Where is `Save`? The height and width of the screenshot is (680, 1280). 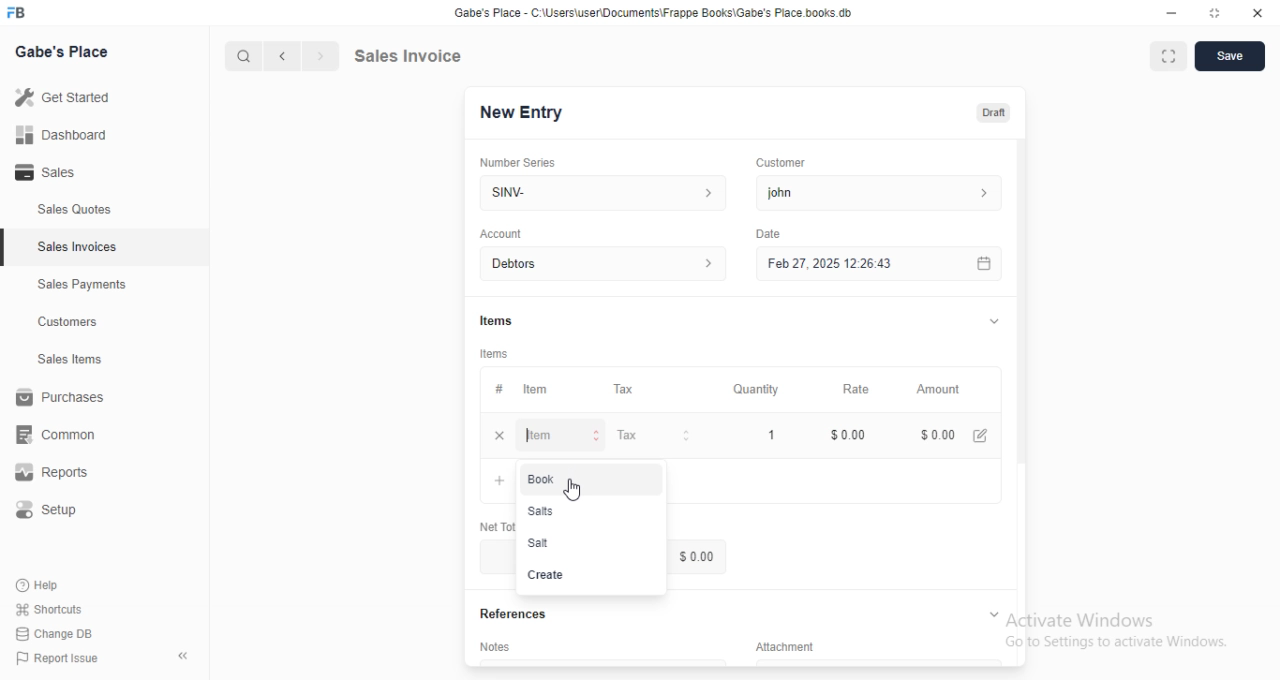
Save is located at coordinates (1233, 56).